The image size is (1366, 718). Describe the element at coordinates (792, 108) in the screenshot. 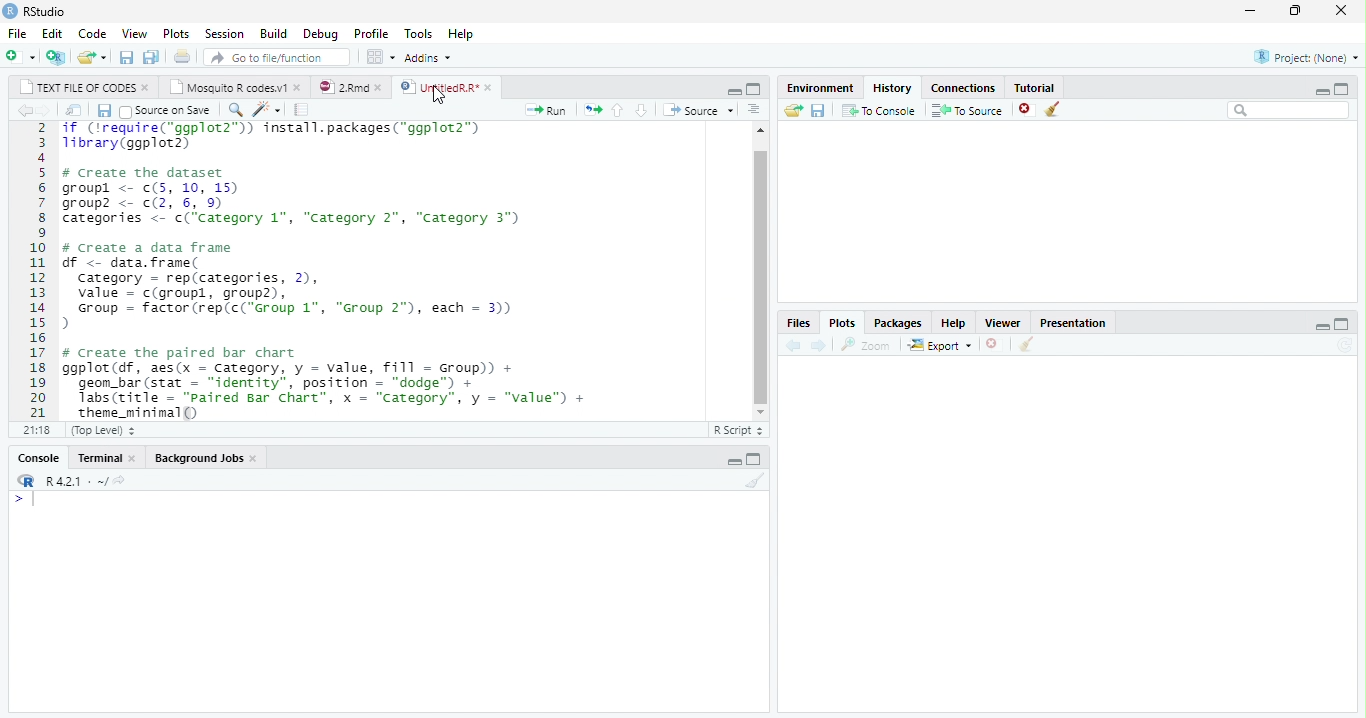

I see `load history` at that location.